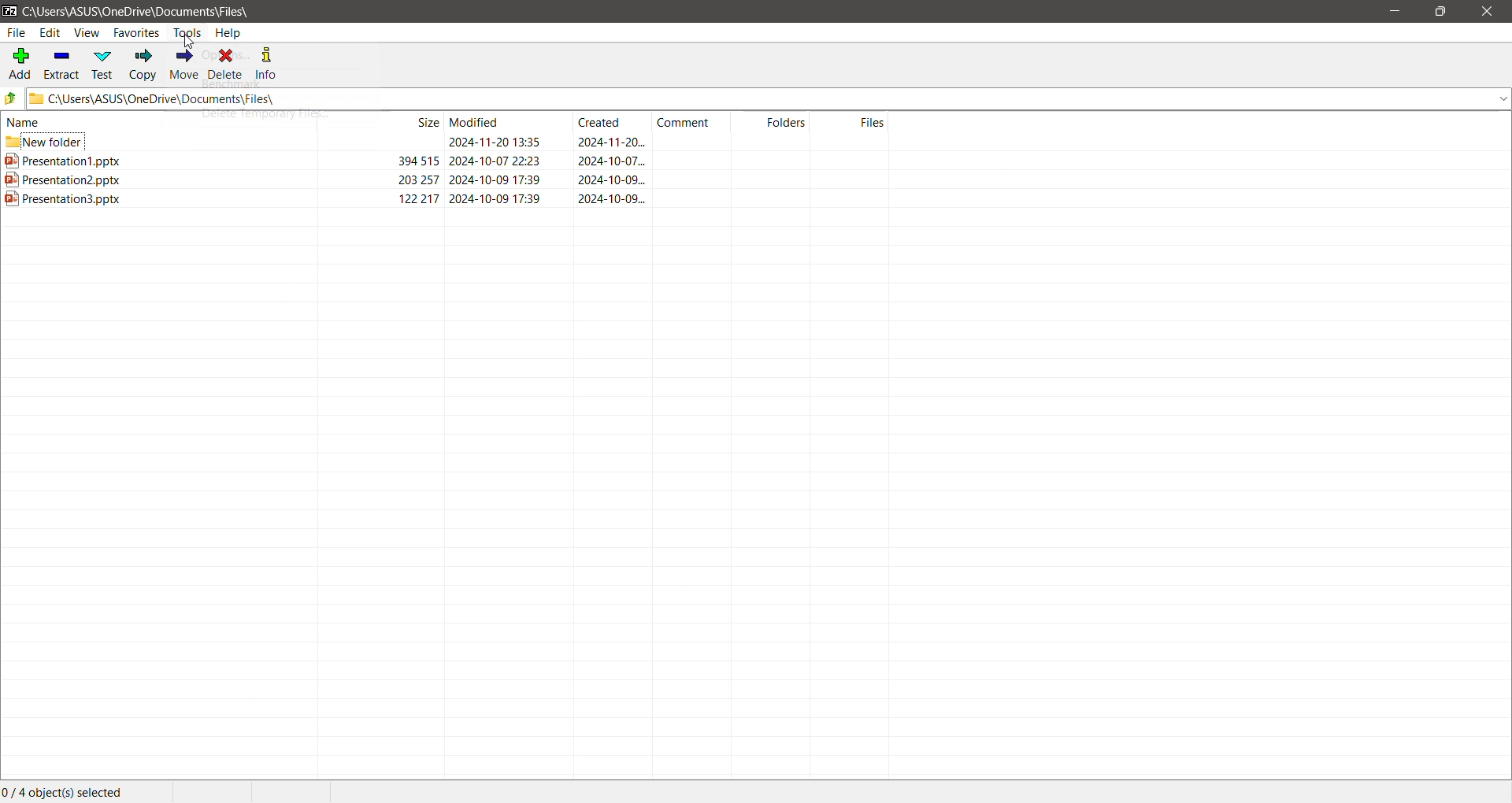 The height and width of the screenshot is (803, 1512). What do you see at coordinates (186, 63) in the screenshot?
I see `Move` at bounding box center [186, 63].